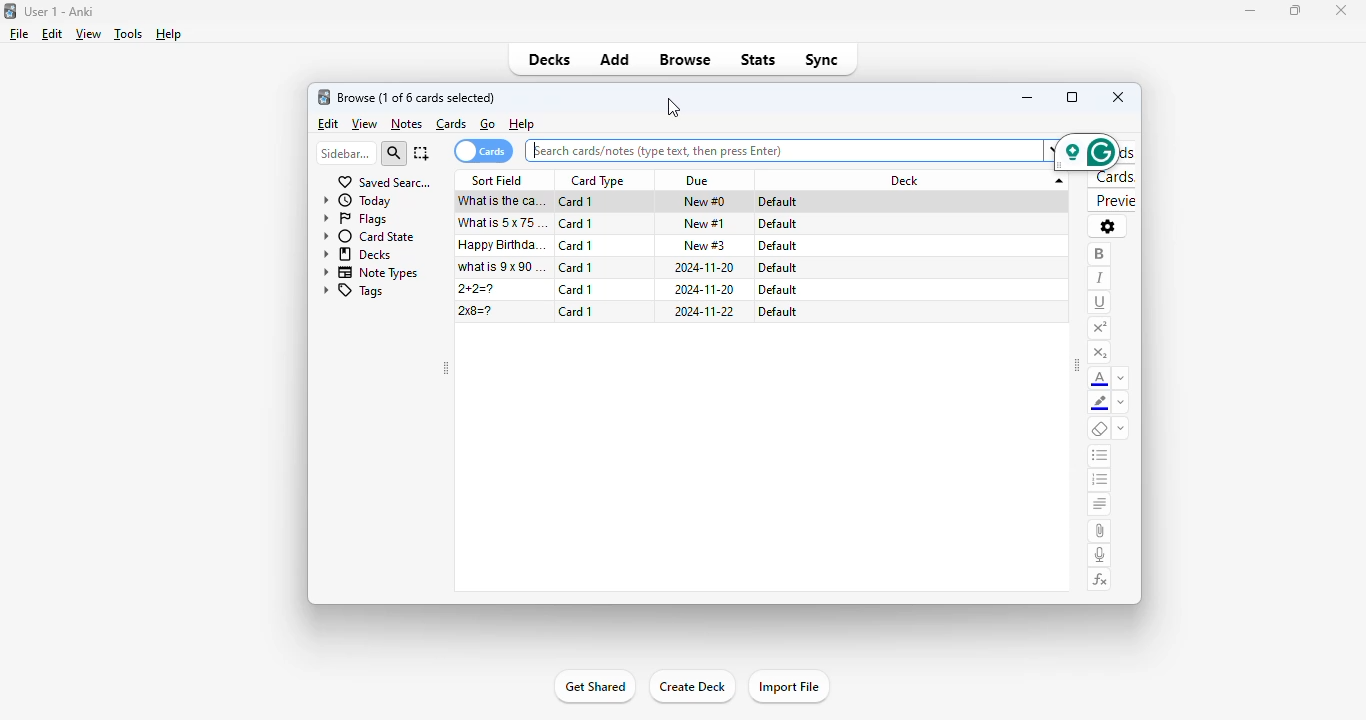 The image size is (1366, 720). What do you see at coordinates (1122, 377) in the screenshot?
I see `change color` at bounding box center [1122, 377].